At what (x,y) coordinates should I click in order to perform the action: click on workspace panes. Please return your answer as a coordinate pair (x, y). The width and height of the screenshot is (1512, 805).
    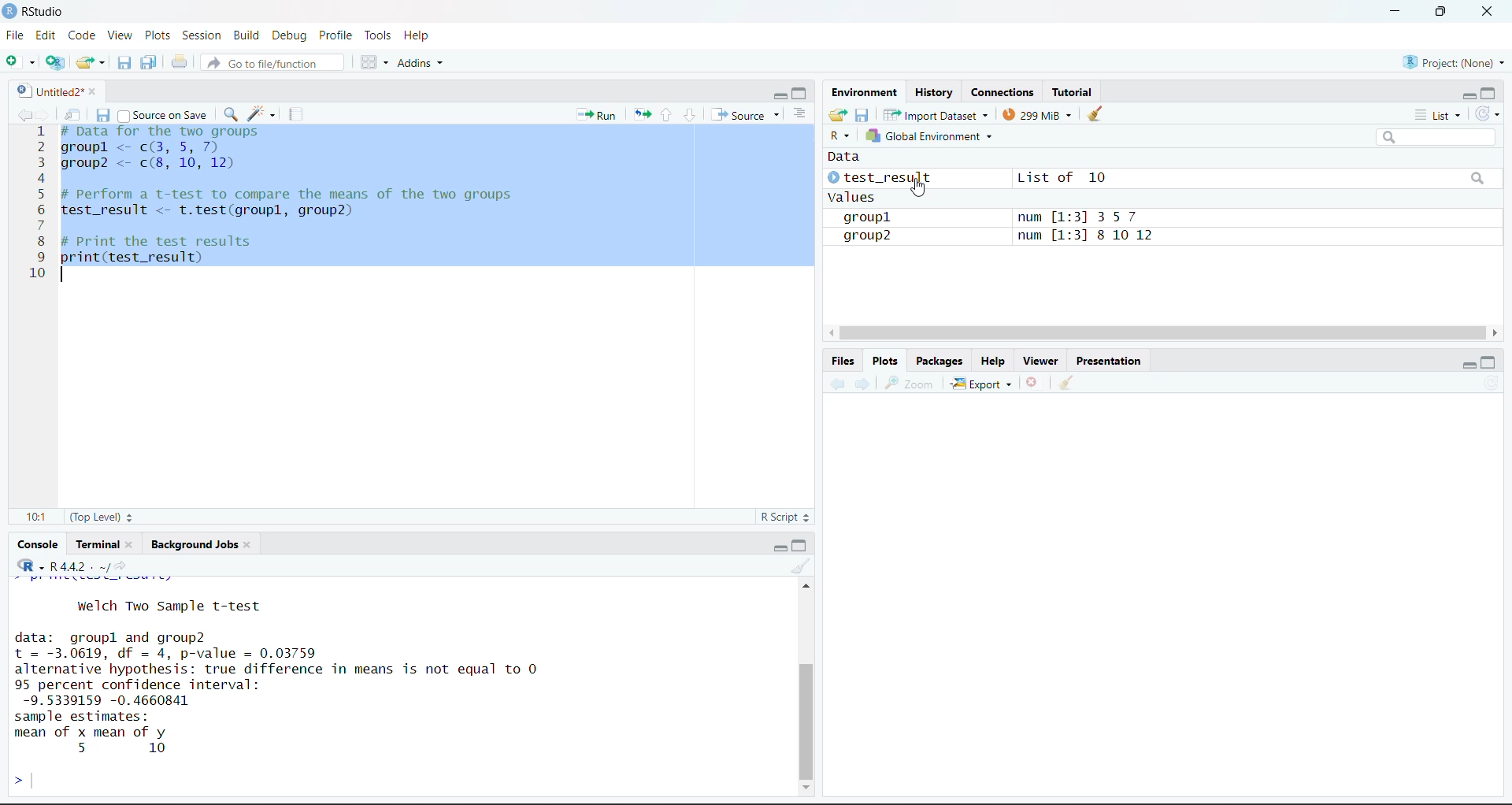
    Looking at the image, I should click on (372, 61).